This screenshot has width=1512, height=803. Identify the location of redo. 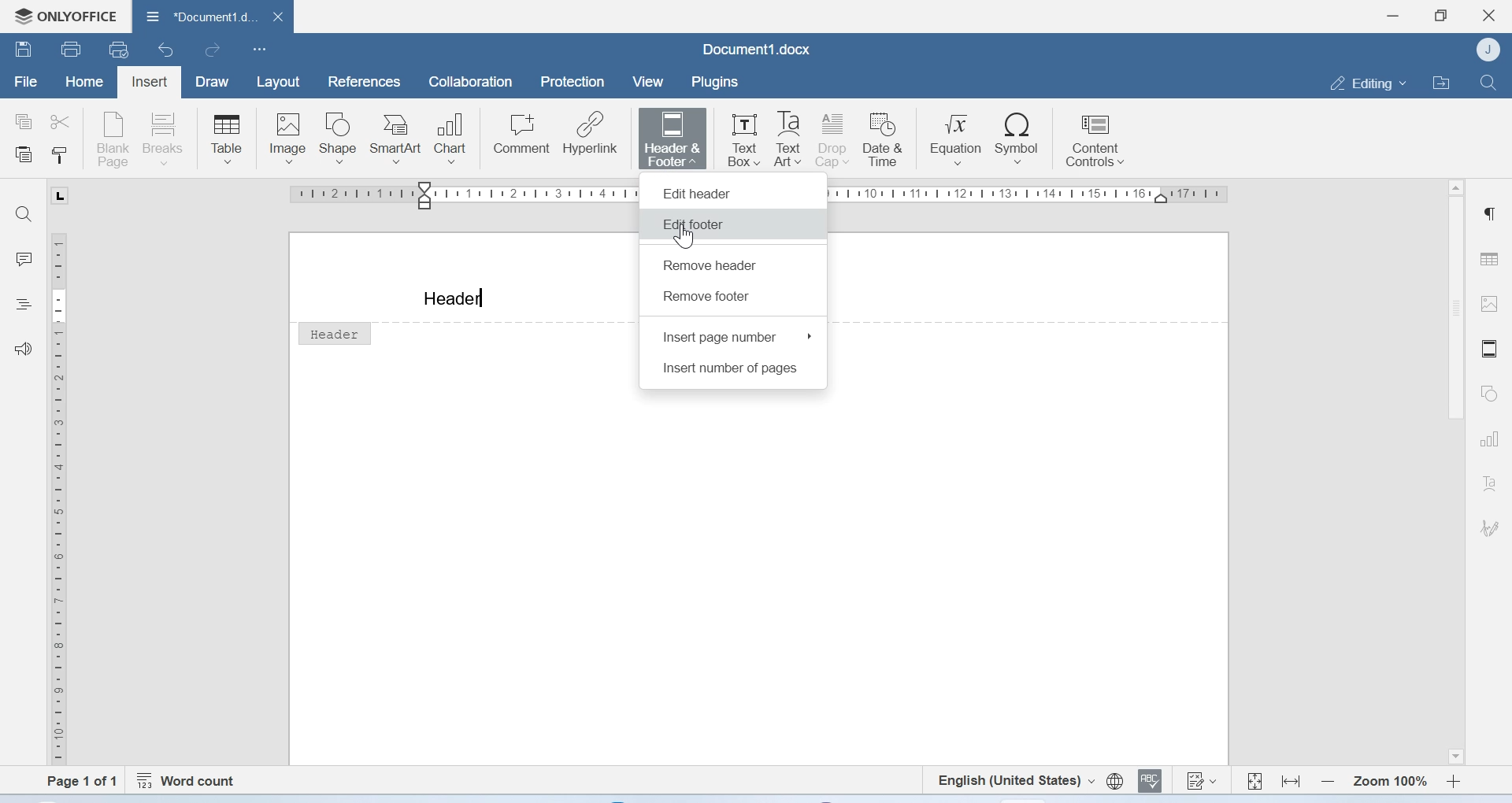
(213, 52).